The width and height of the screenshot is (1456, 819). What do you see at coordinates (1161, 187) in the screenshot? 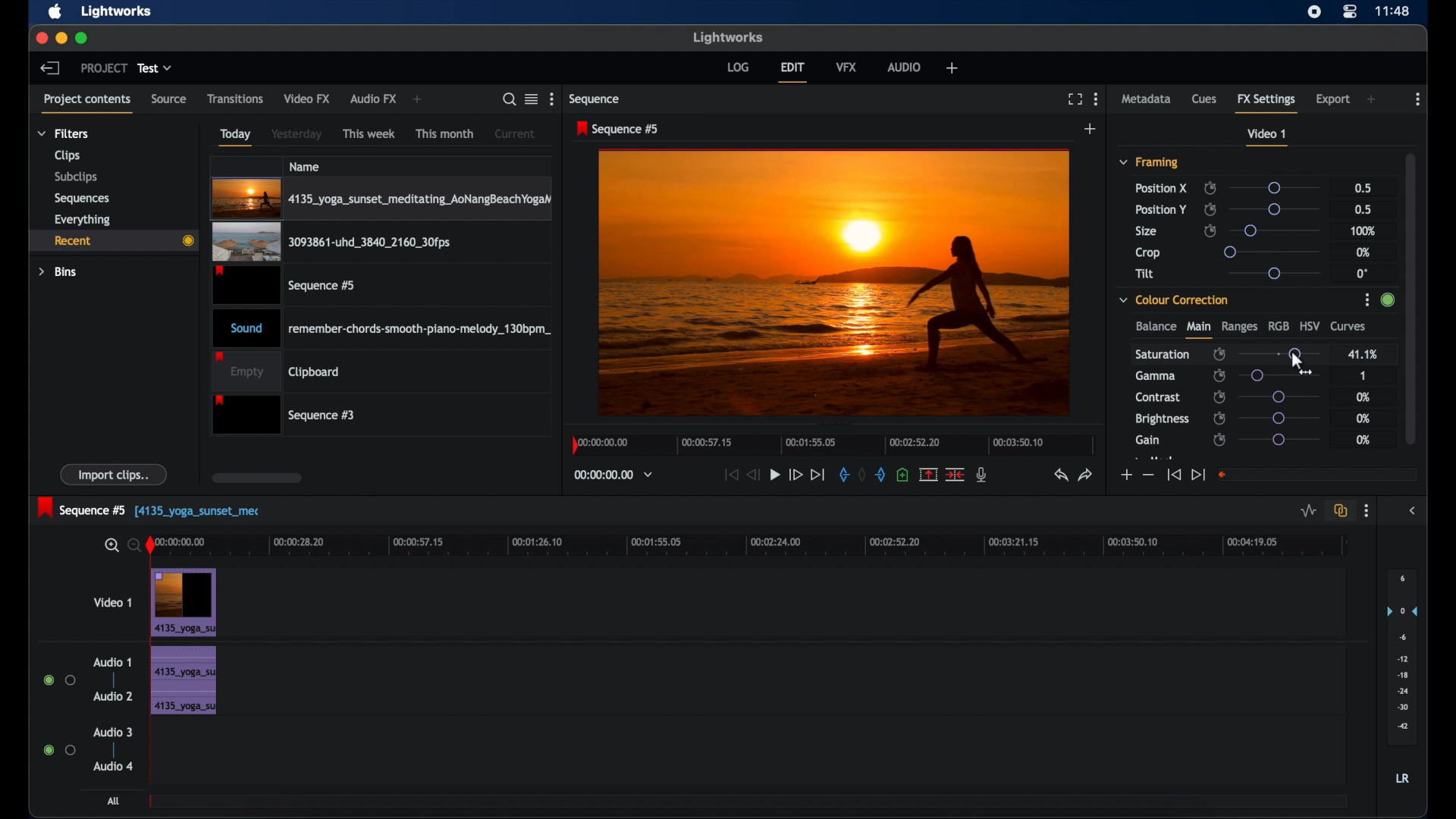
I see `position x` at bounding box center [1161, 187].